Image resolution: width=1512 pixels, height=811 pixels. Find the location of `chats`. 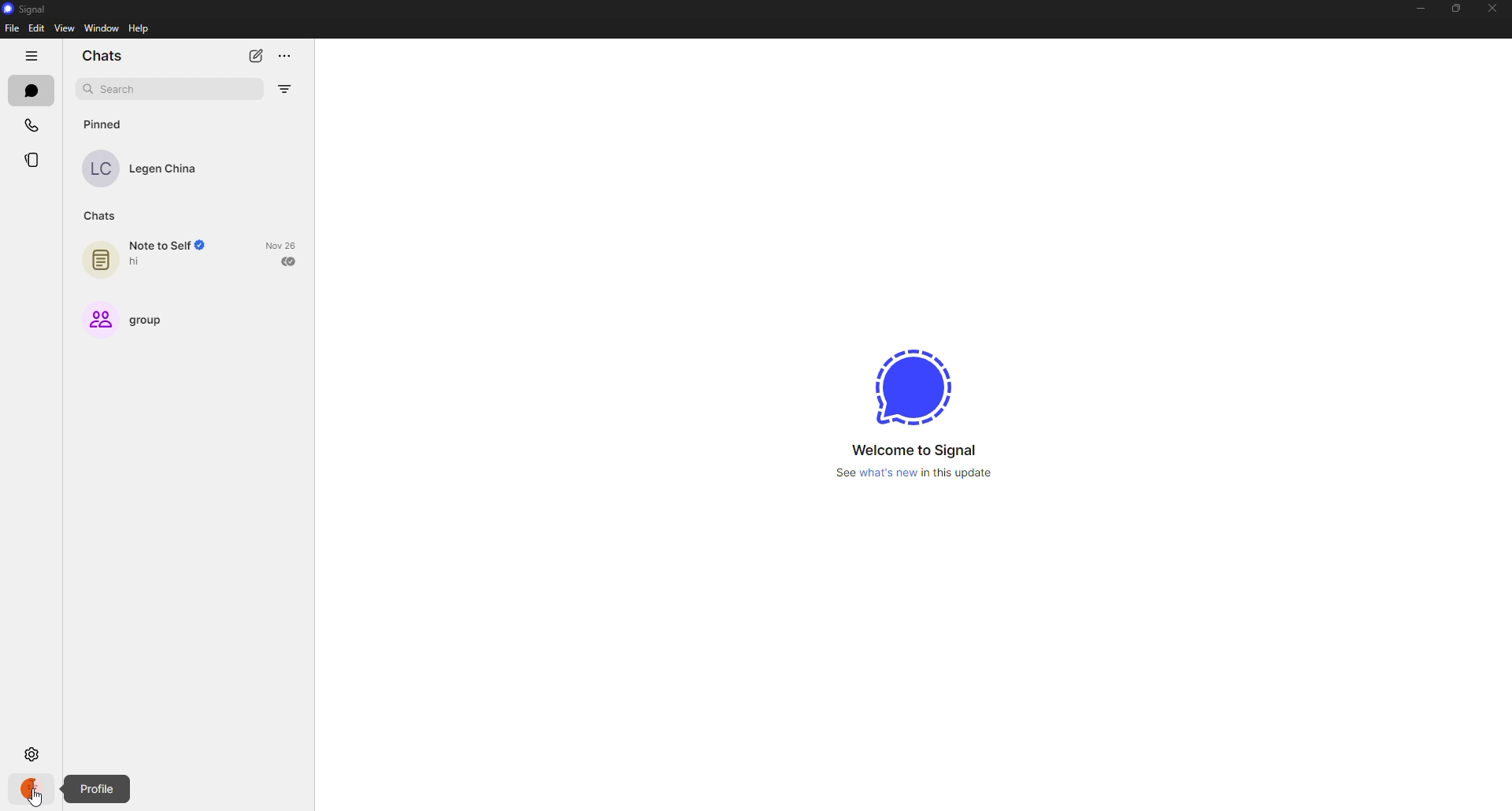

chats is located at coordinates (104, 57).